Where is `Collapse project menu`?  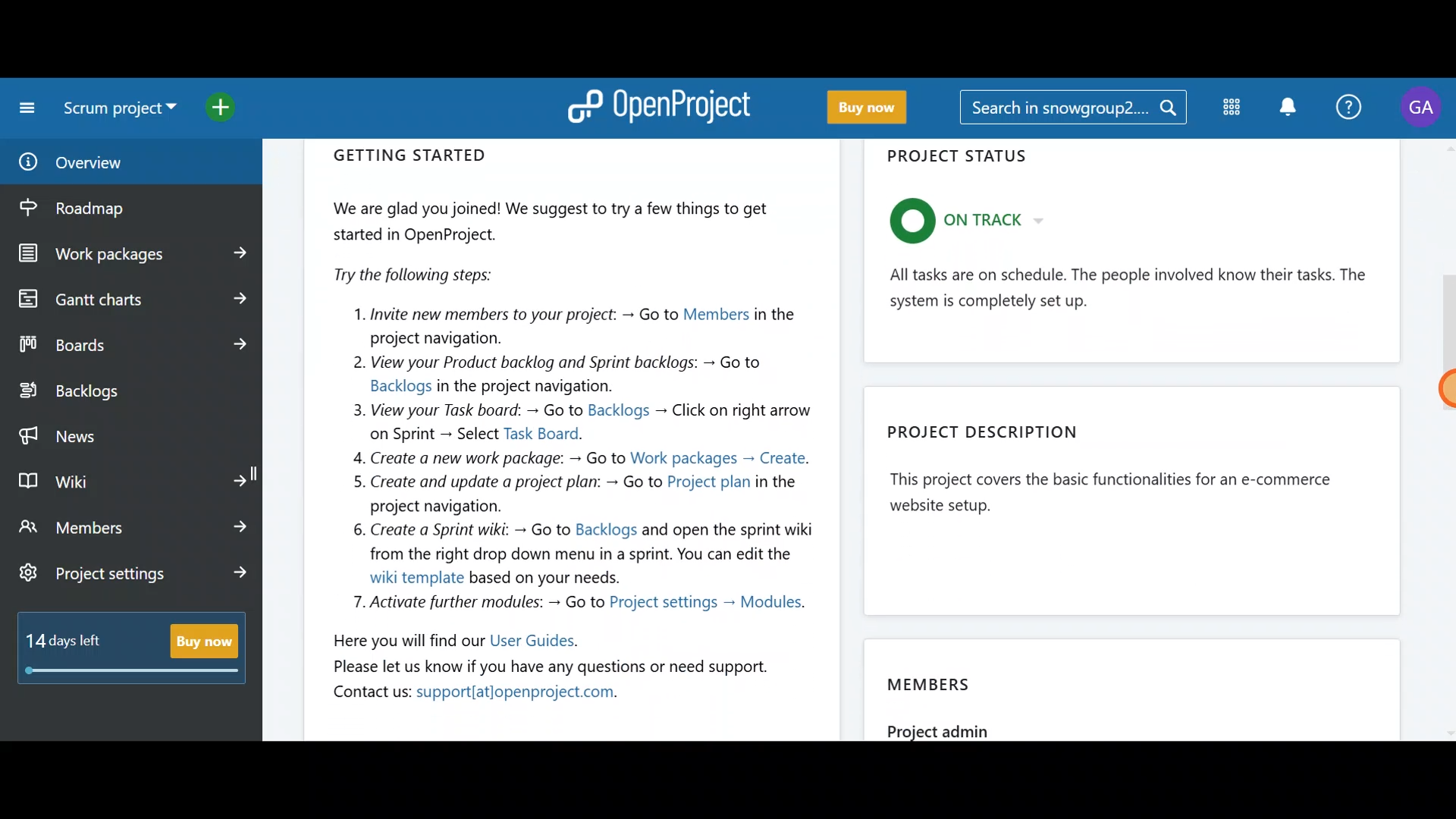
Collapse project menu is located at coordinates (24, 108).